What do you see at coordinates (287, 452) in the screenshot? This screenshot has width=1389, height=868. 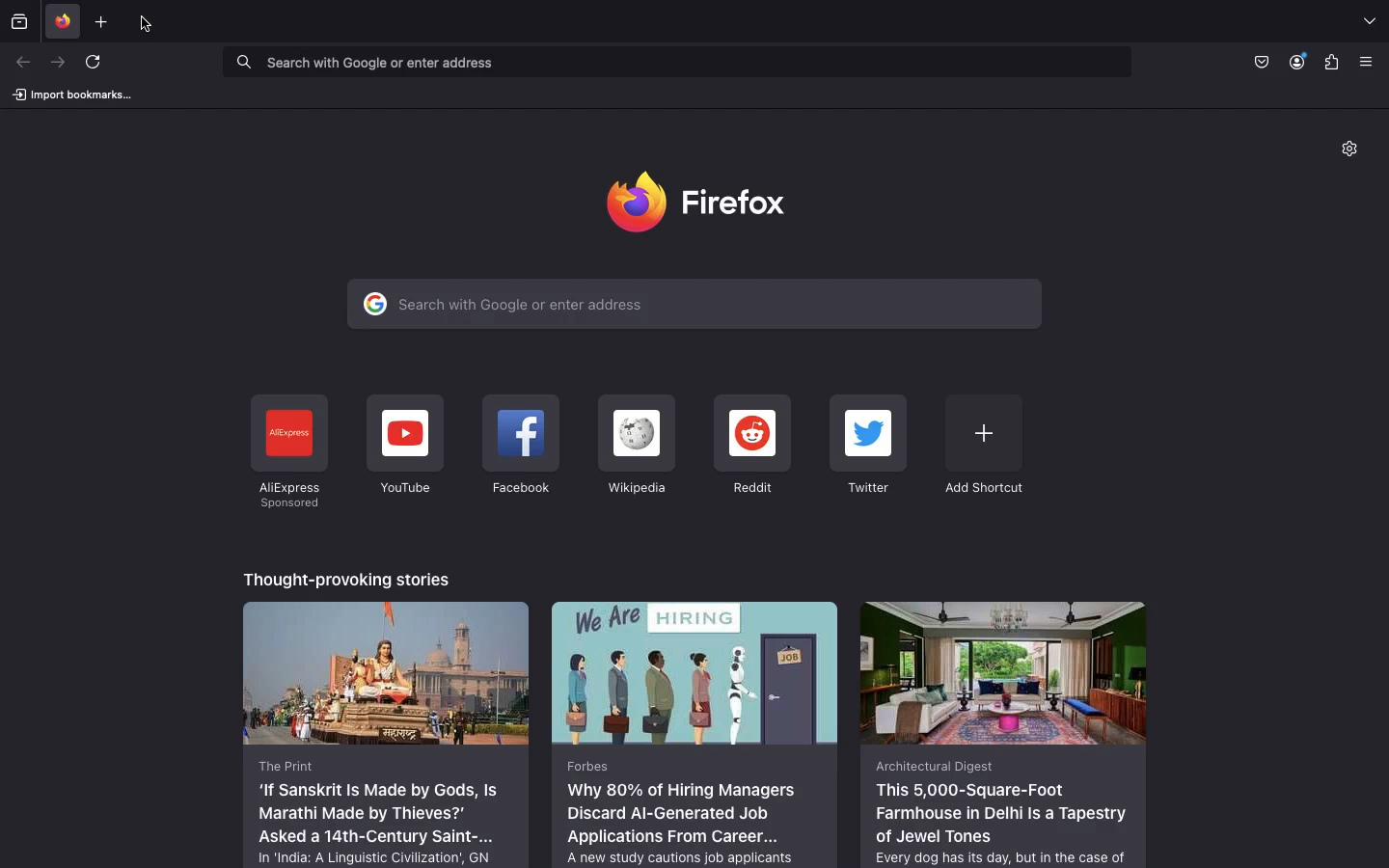 I see `AliExpress` at bounding box center [287, 452].